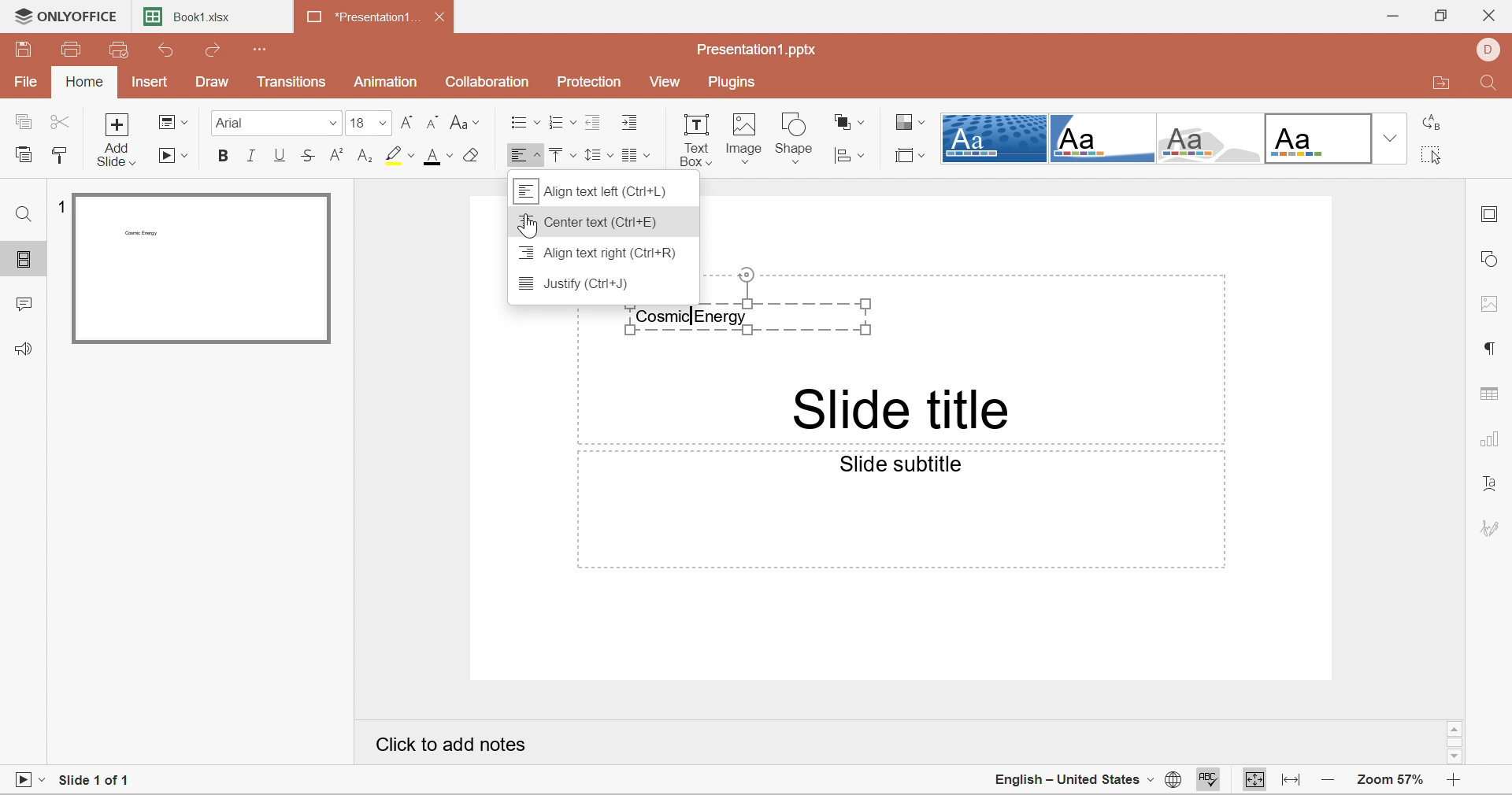 The height and width of the screenshot is (795, 1512). Describe the element at coordinates (172, 121) in the screenshot. I see `Change slide layout` at that location.